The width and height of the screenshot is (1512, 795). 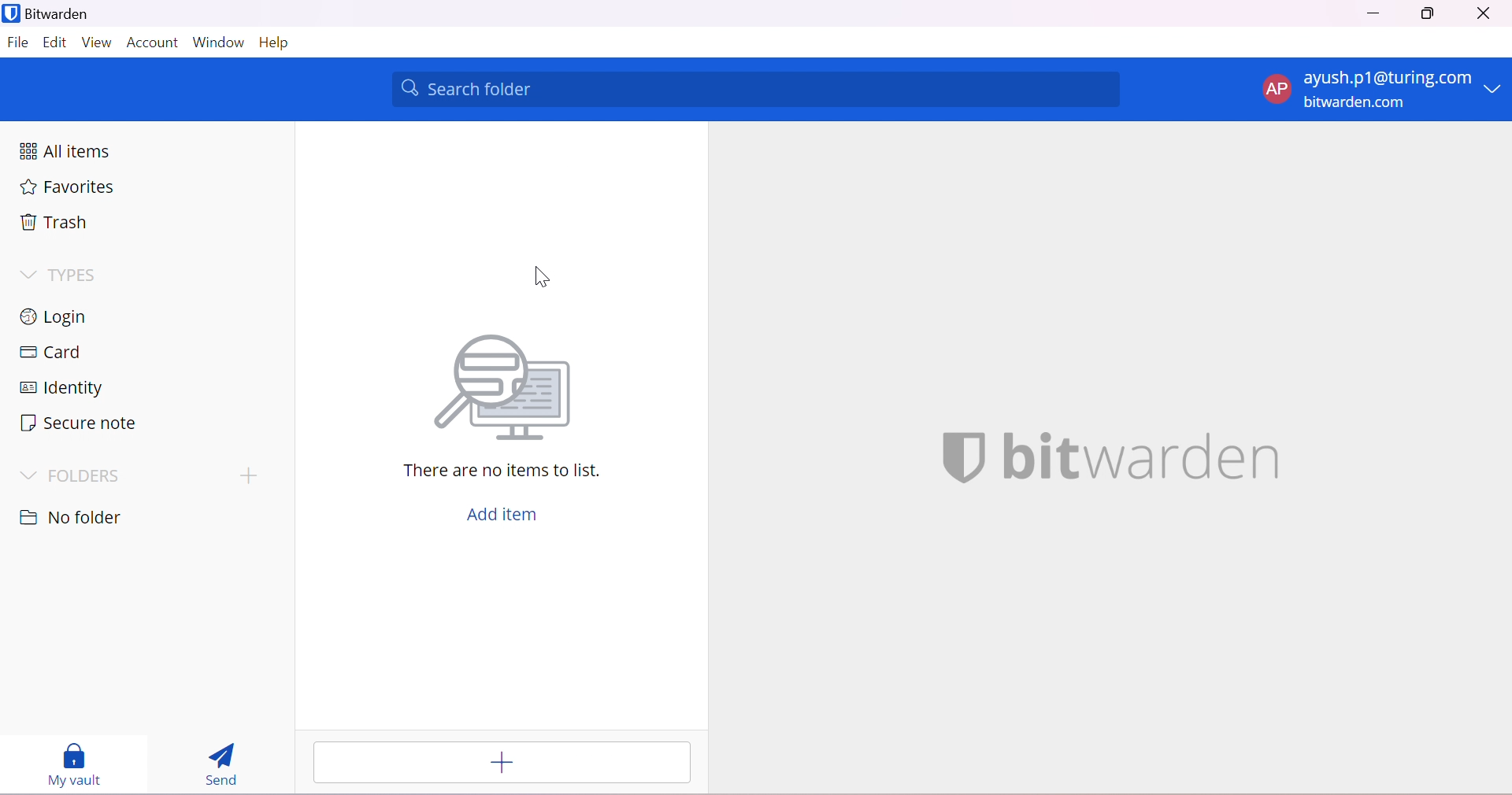 What do you see at coordinates (17, 45) in the screenshot?
I see `File` at bounding box center [17, 45].